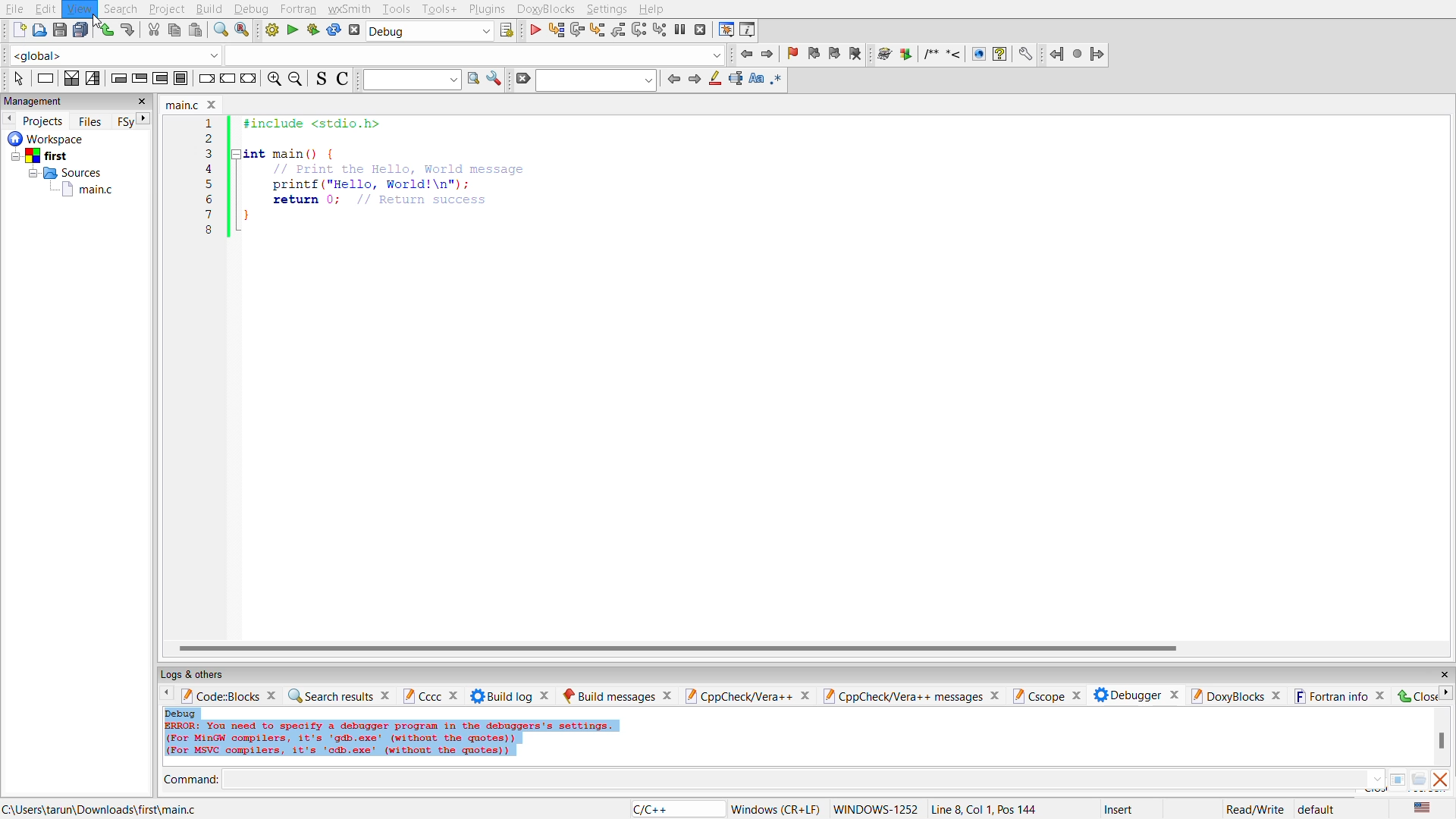  What do you see at coordinates (230, 695) in the screenshot?
I see `codeblocks` at bounding box center [230, 695].